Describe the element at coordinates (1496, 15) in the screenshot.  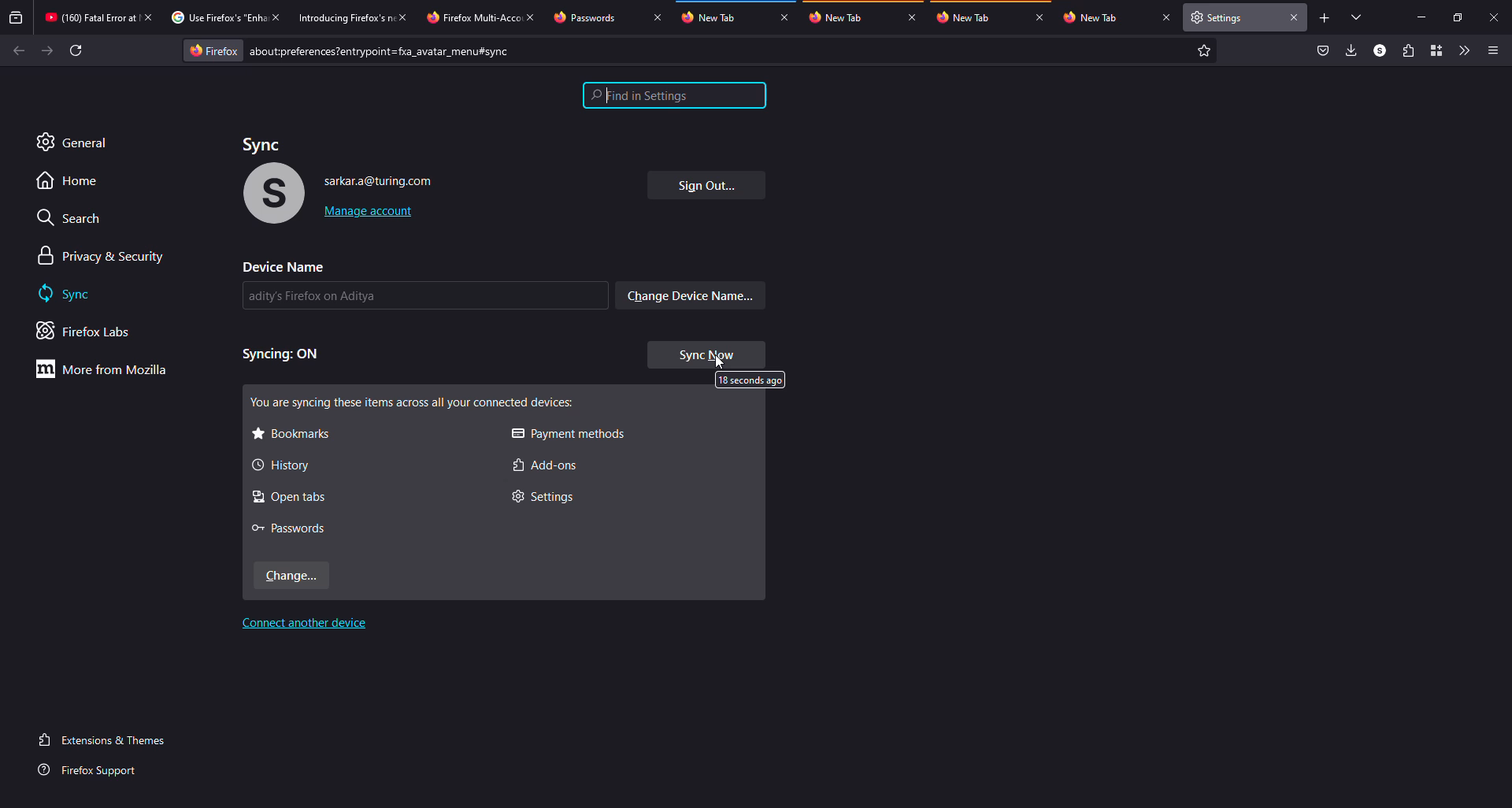
I see `close` at that location.